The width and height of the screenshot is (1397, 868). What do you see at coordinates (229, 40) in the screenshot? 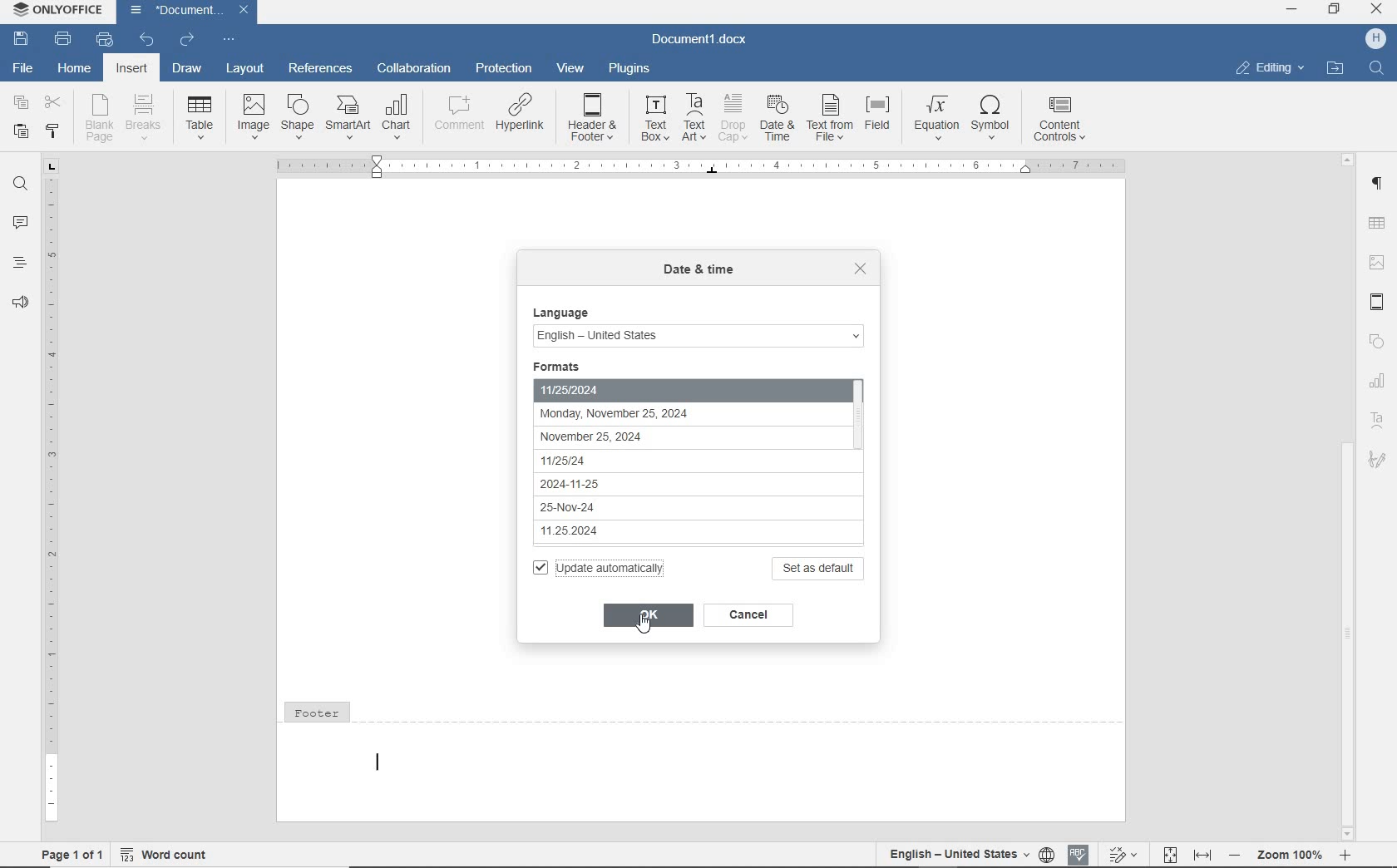
I see `customize quick access toolbar` at bounding box center [229, 40].